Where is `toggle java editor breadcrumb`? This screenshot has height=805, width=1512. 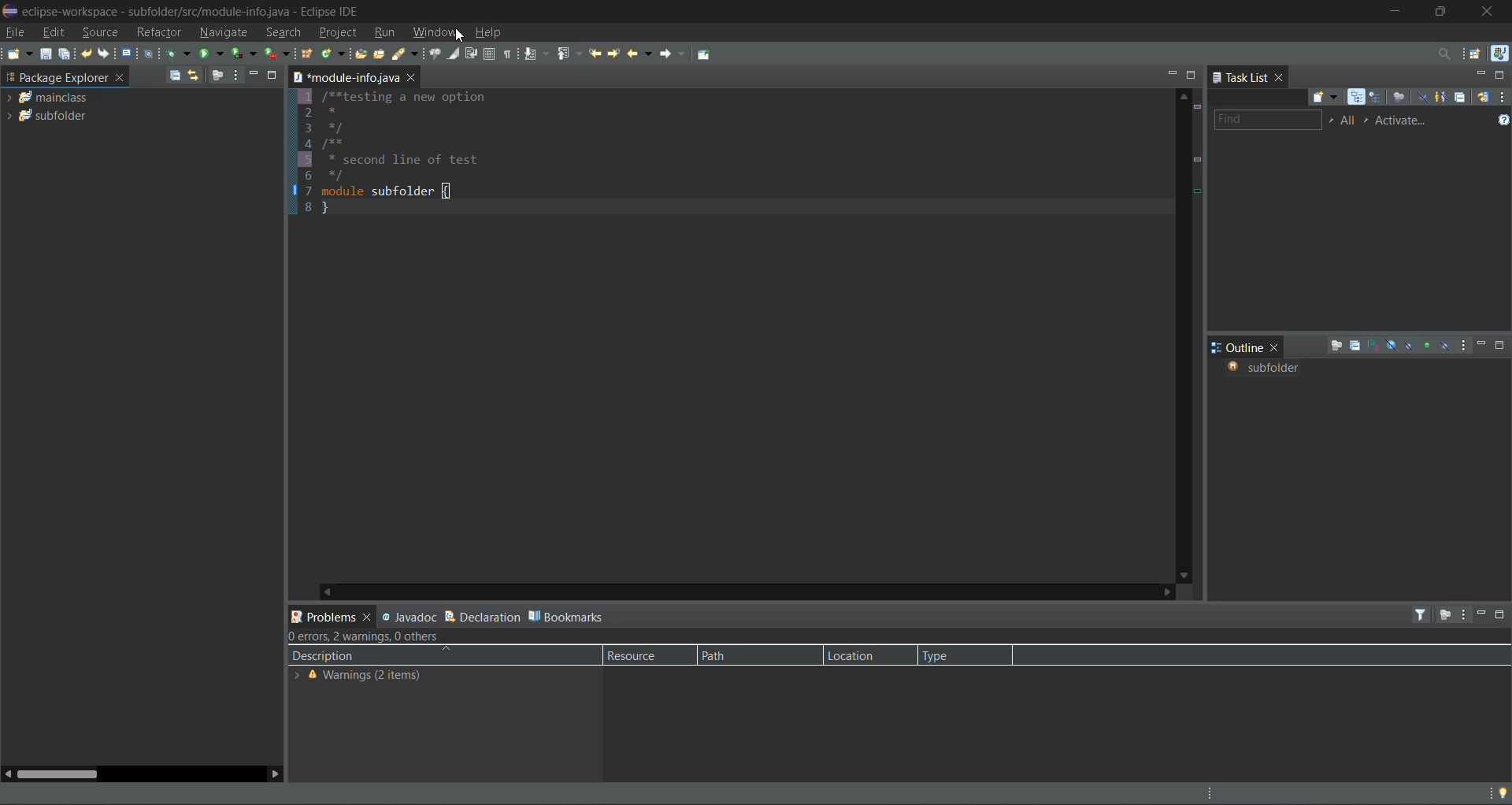 toggle java editor breadcrumb is located at coordinates (432, 54).